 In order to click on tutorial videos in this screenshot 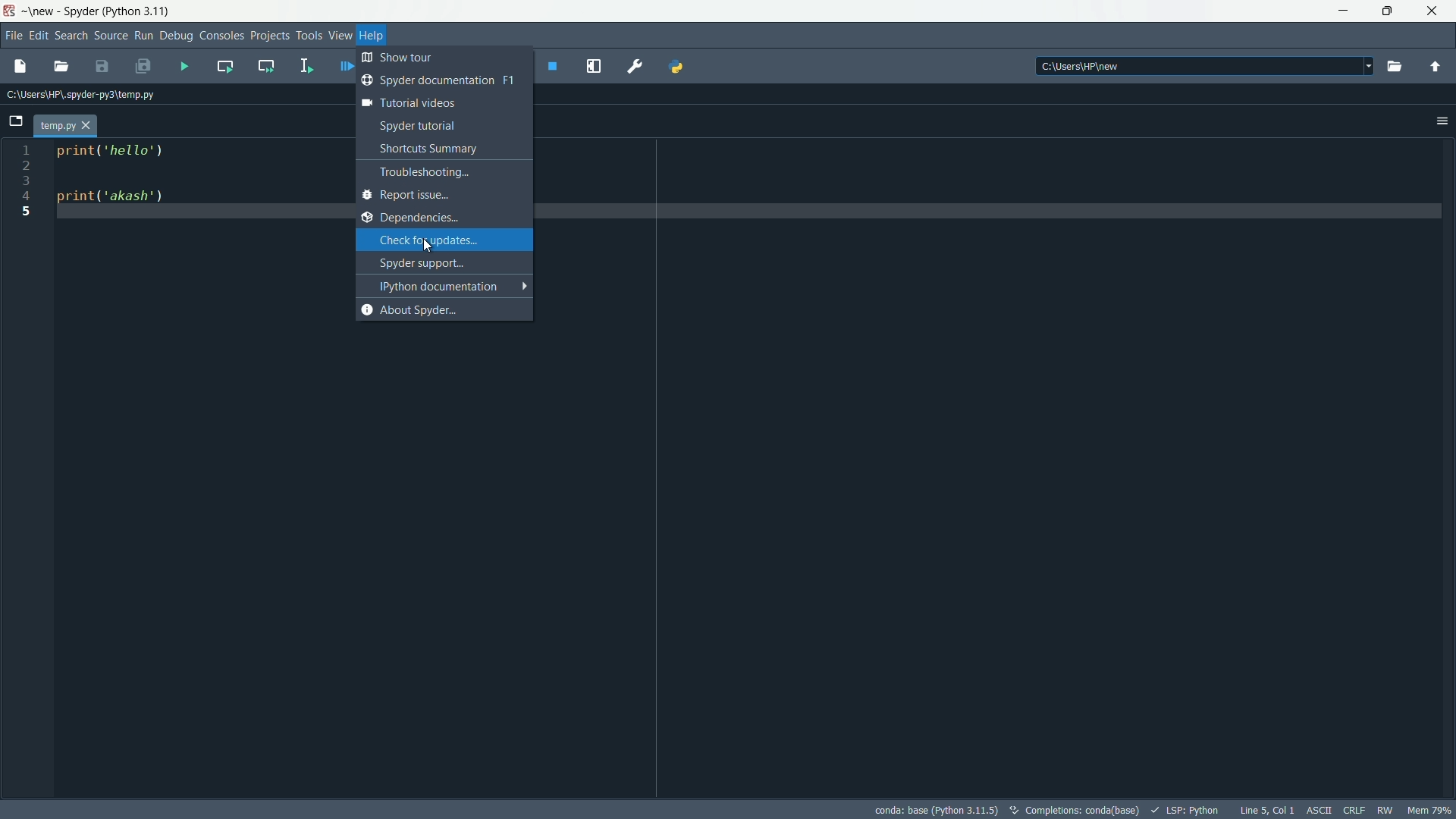, I will do `click(438, 103)`.